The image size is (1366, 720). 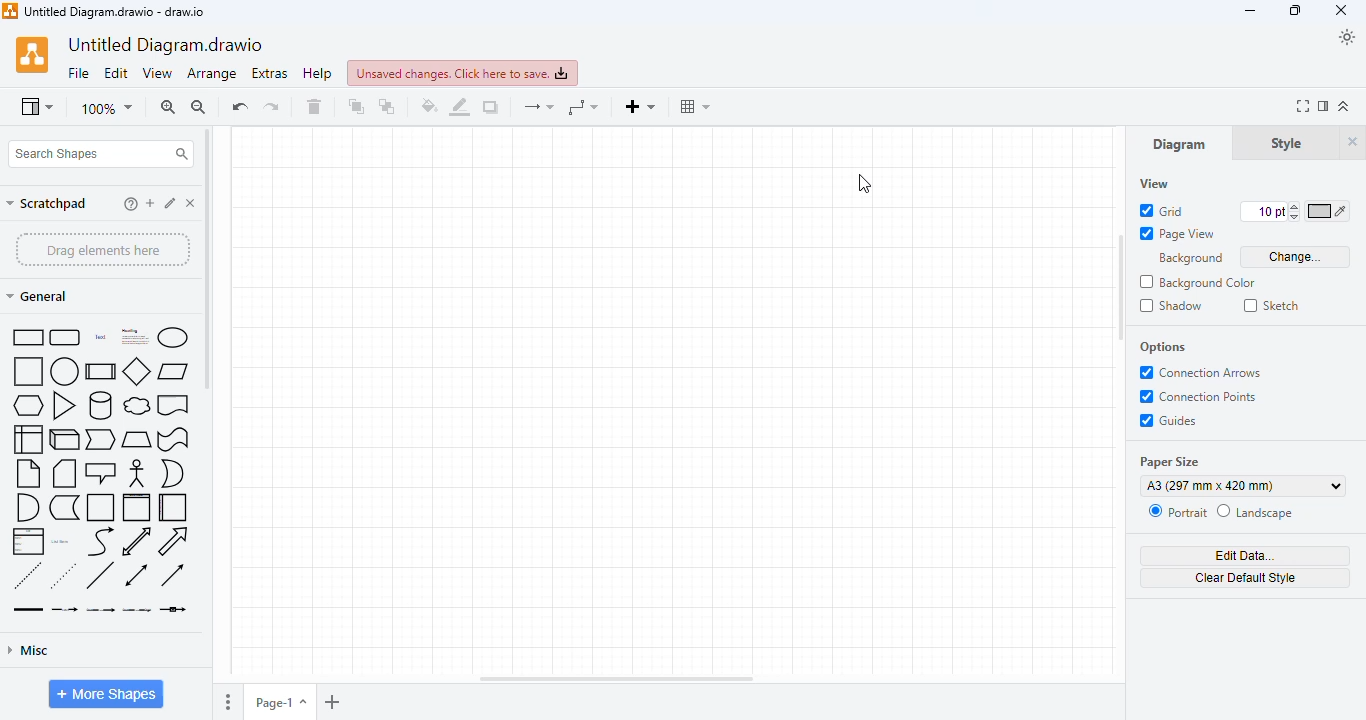 What do you see at coordinates (137, 508) in the screenshot?
I see `vertical container` at bounding box center [137, 508].